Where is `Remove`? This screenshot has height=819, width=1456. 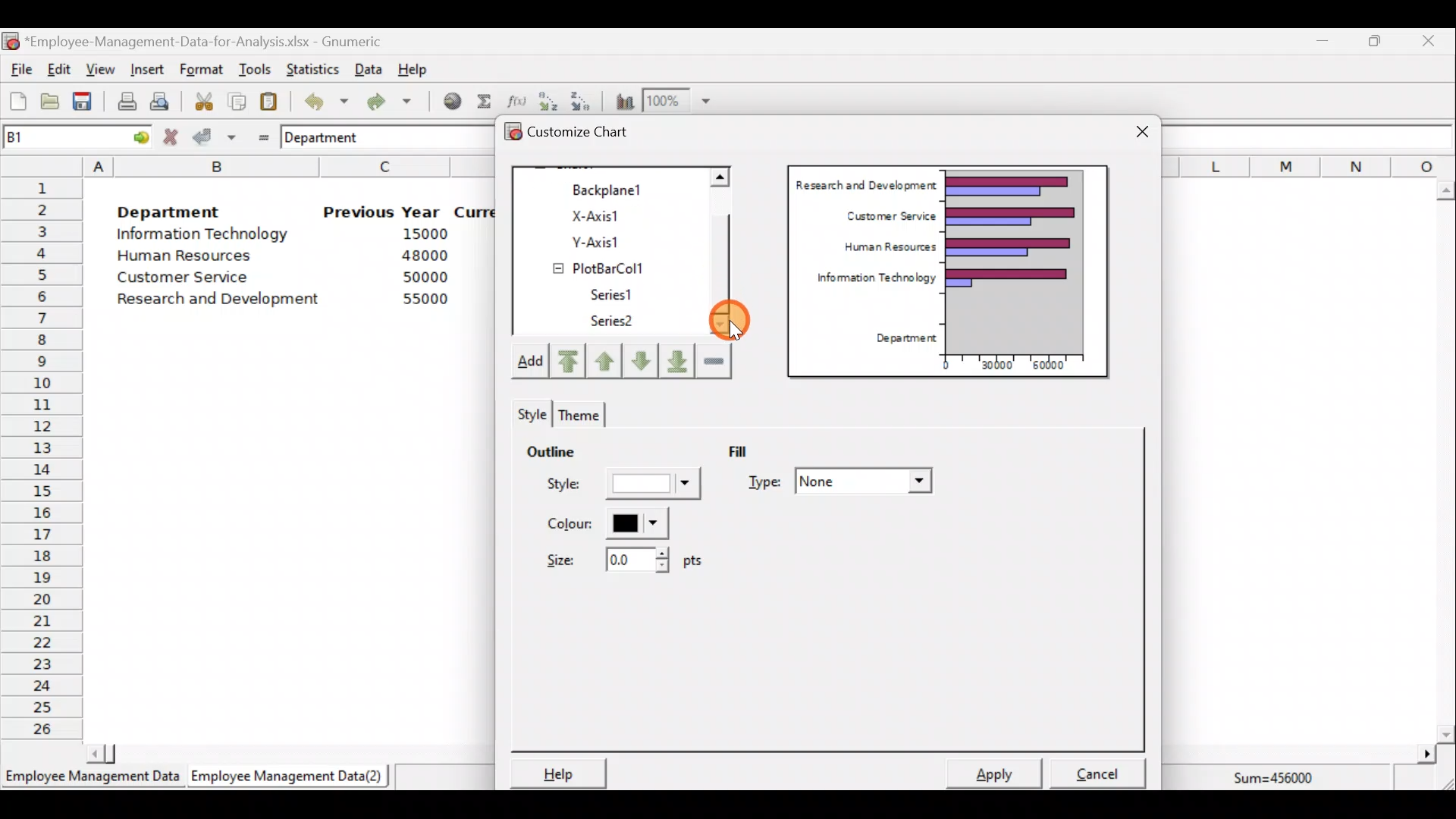 Remove is located at coordinates (714, 359).